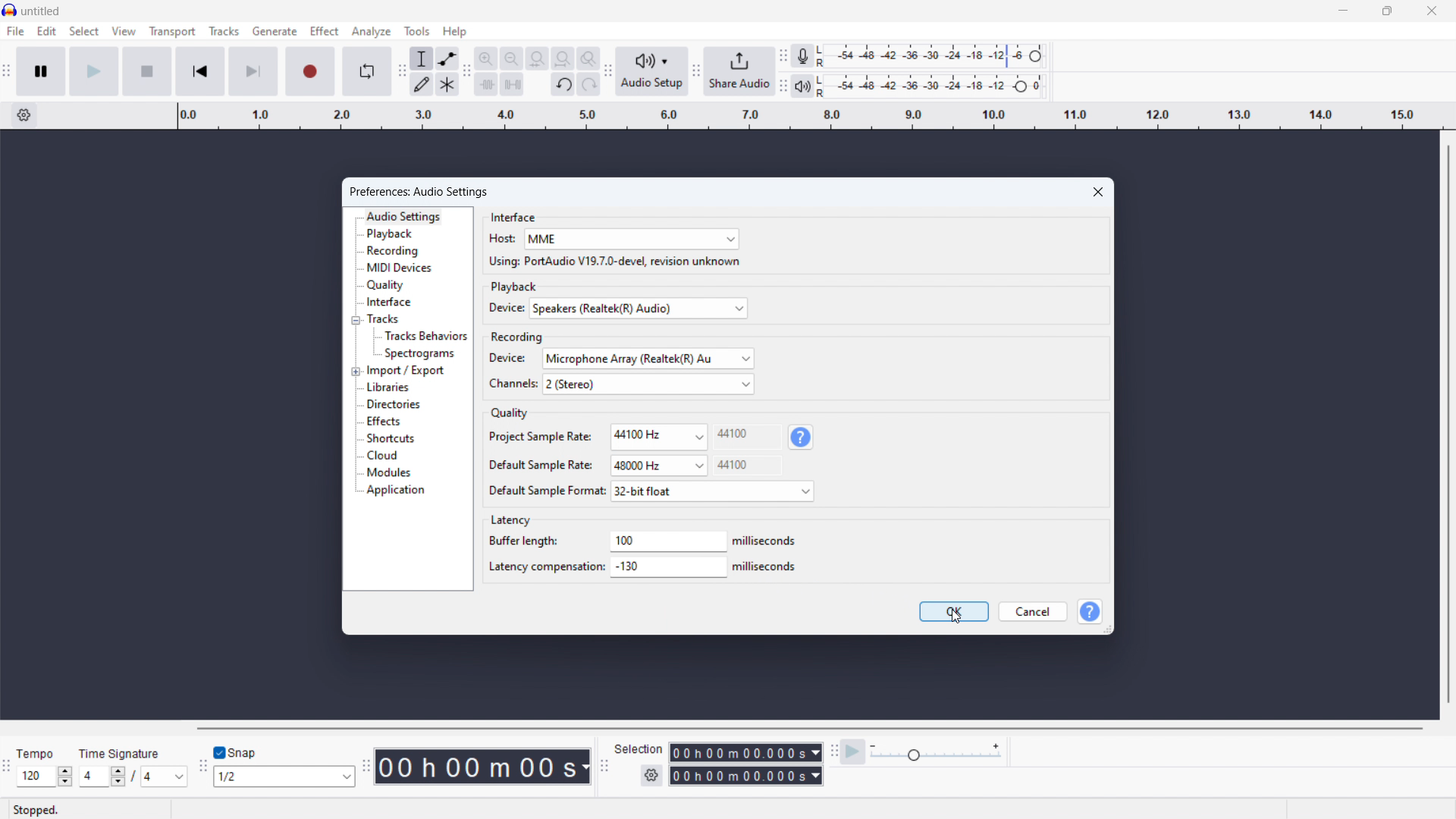 The width and height of the screenshot is (1456, 819). What do you see at coordinates (513, 84) in the screenshot?
I see `silence audio selection` at bounding box center [513, 84].